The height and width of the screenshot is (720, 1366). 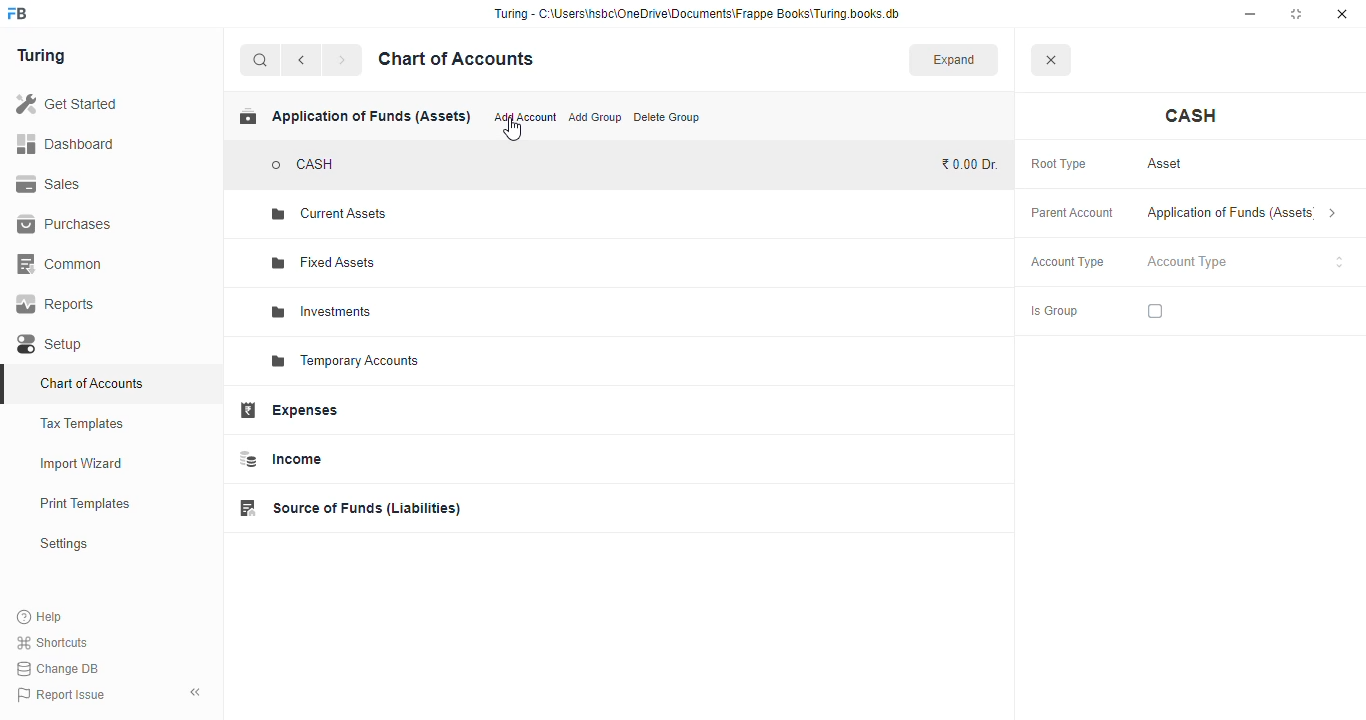 What do you see at coordinates (196, 692) in the screenshot?
I see `toggle sidebar` at bounding box center [196, 692].